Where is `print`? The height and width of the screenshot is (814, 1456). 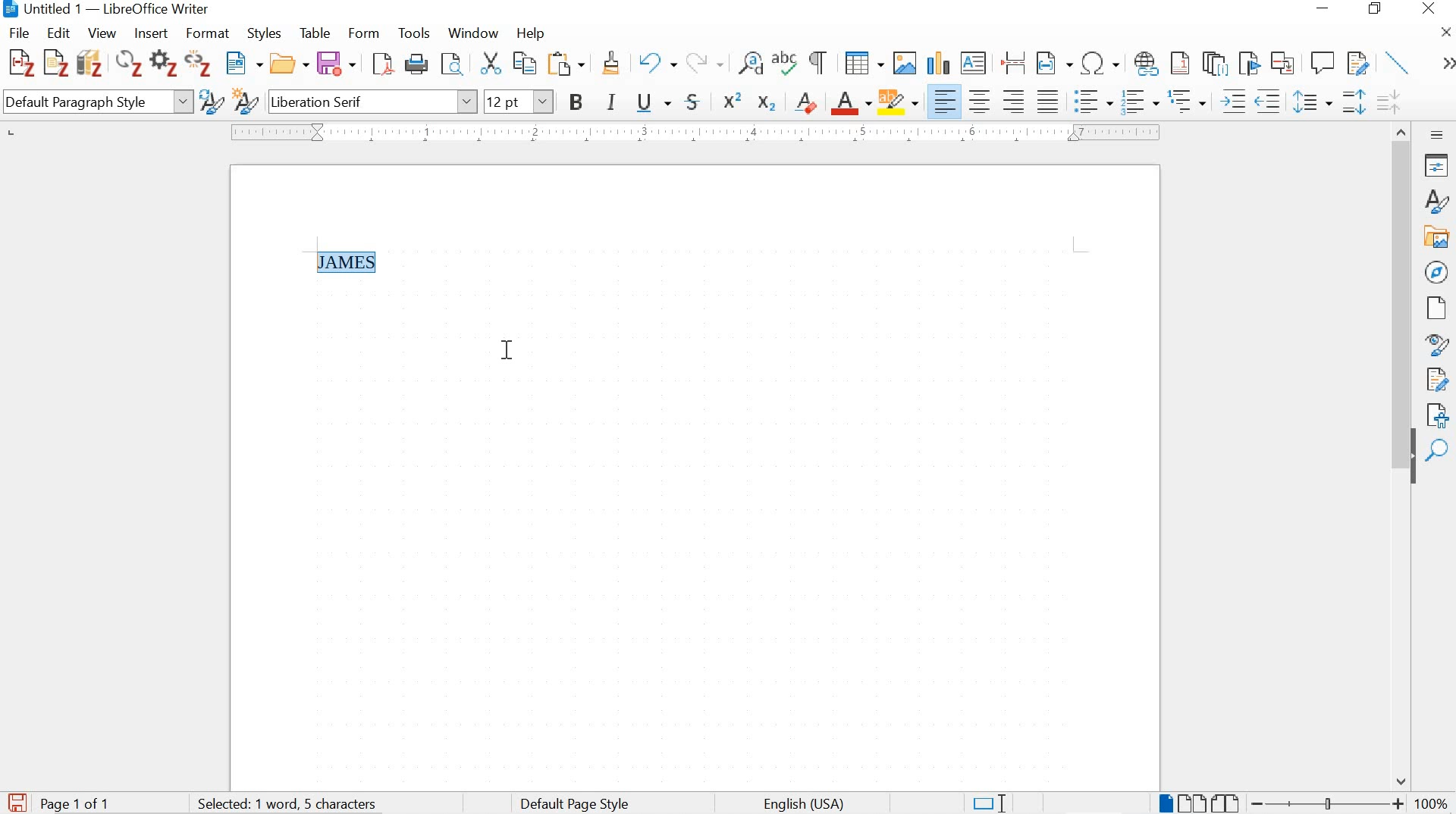 print is located at coordinates (418, 64).